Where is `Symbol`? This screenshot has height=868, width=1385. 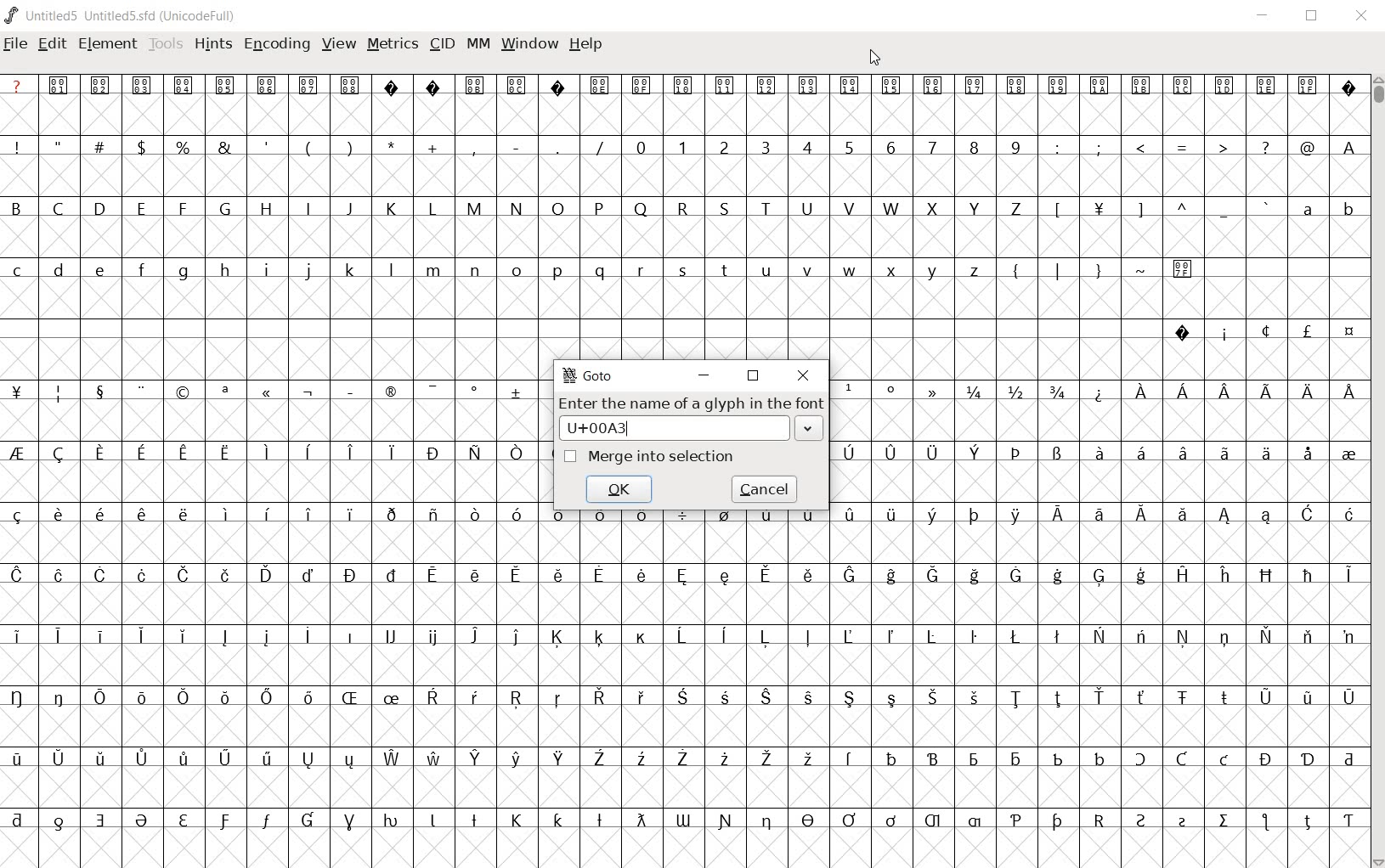
Symbol is located at coordinates (184, 637).